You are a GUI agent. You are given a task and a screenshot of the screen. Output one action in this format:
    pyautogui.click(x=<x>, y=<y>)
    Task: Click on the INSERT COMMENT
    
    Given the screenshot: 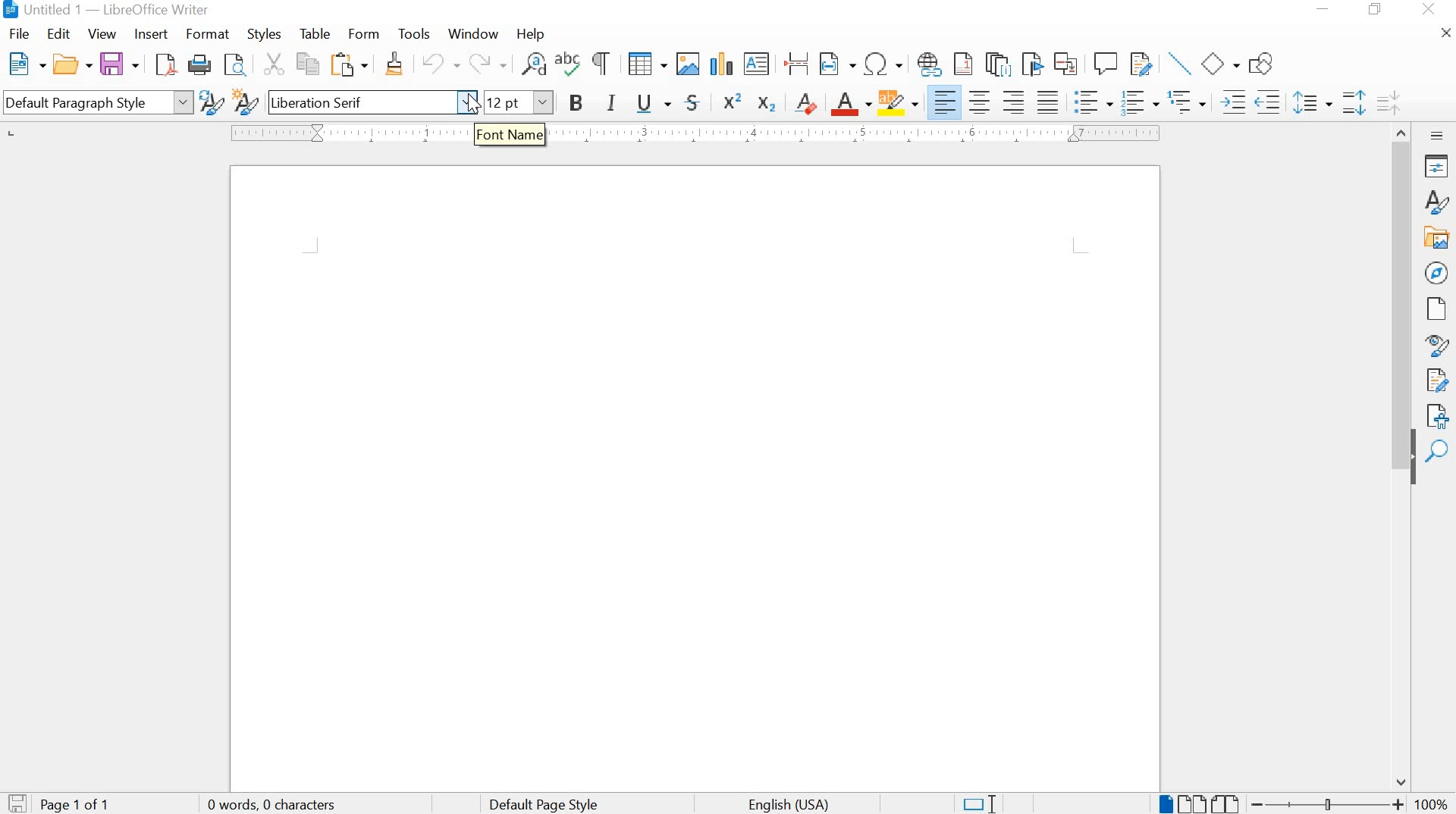 What is the action you would take?
    pyautogui.click(x=1106, y=64)
    